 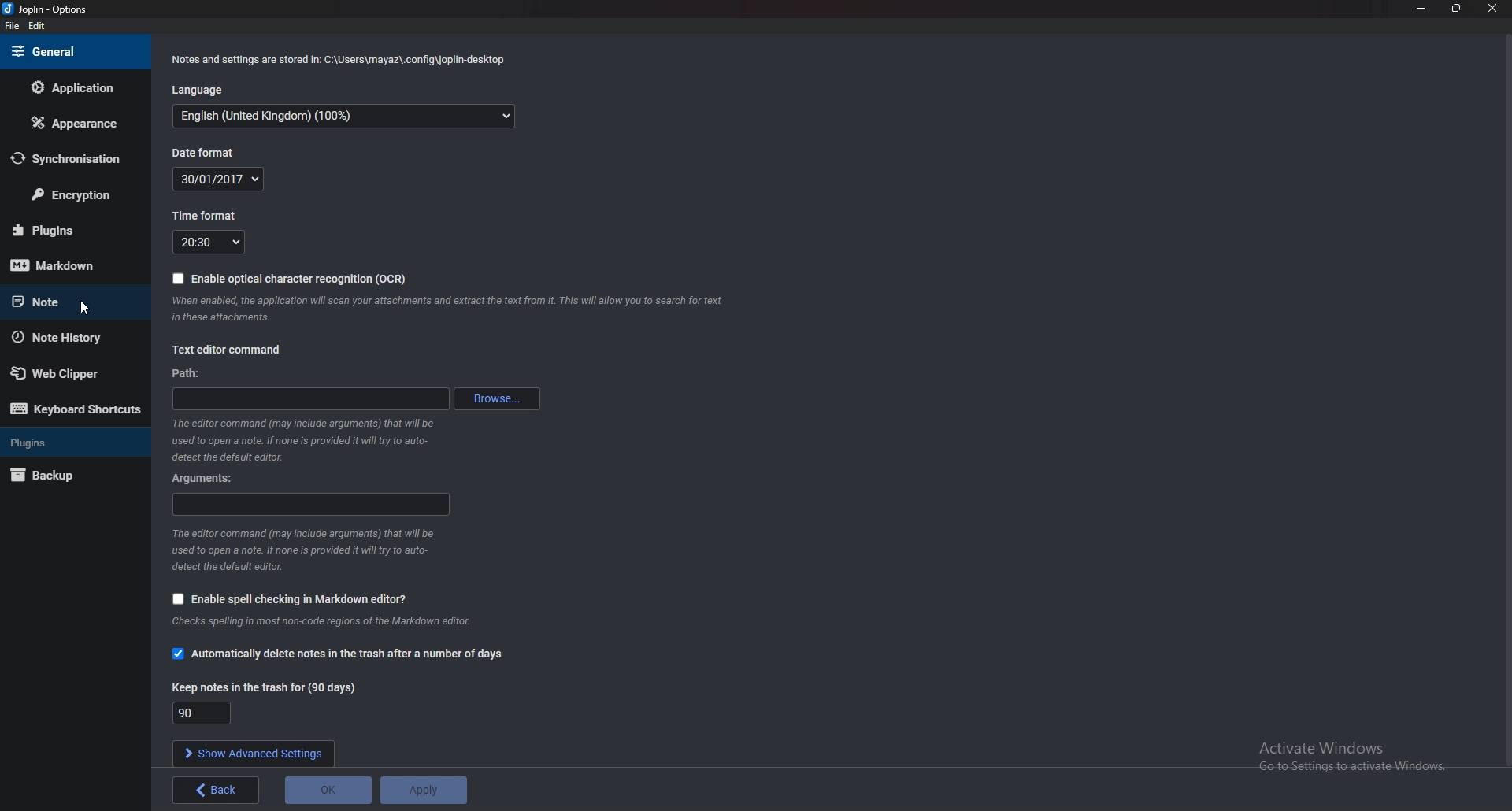 I want to click on Browse, so click(x=497, y=398).